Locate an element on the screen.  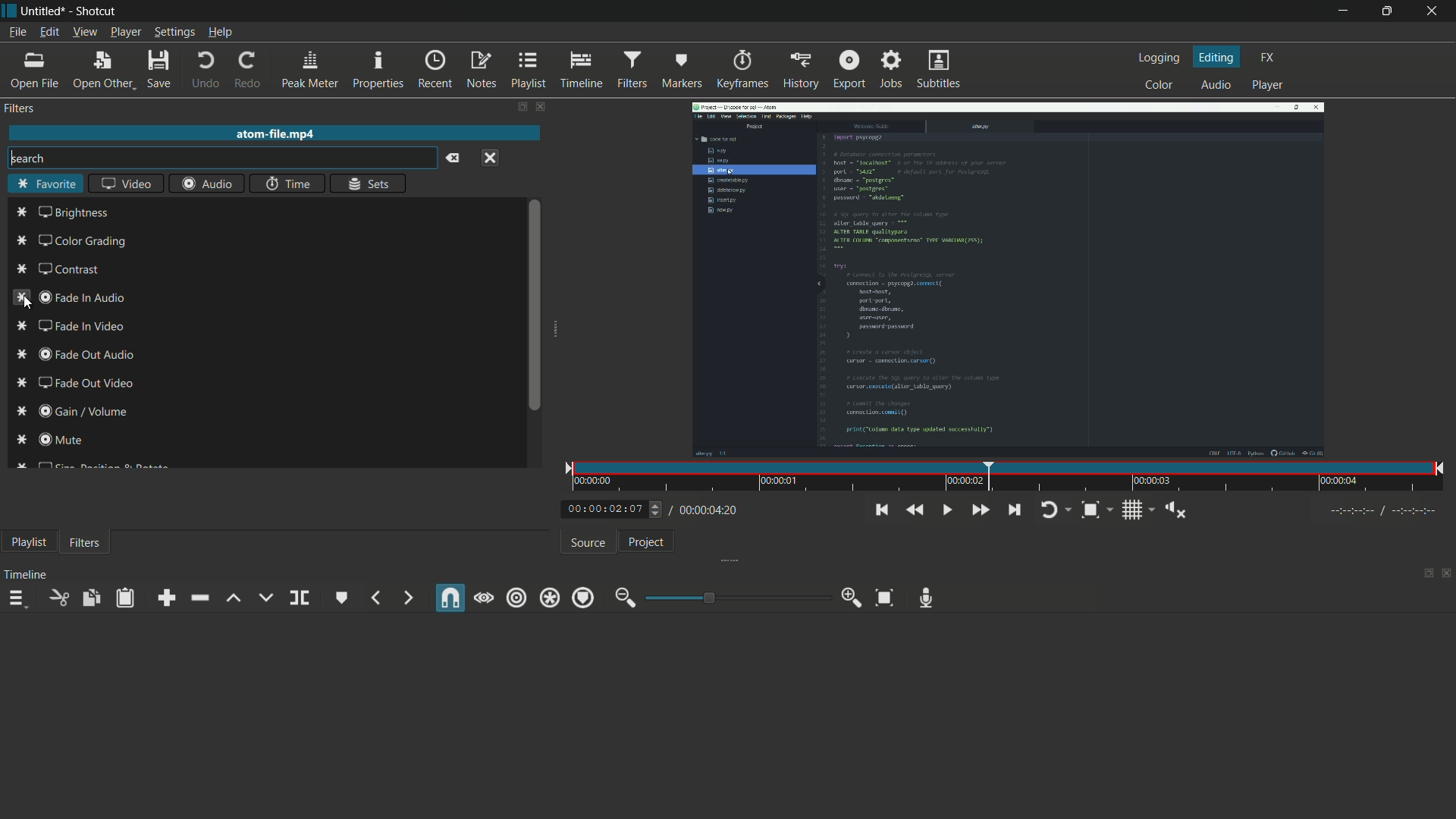
clear search is located at coordinates (453, 158).